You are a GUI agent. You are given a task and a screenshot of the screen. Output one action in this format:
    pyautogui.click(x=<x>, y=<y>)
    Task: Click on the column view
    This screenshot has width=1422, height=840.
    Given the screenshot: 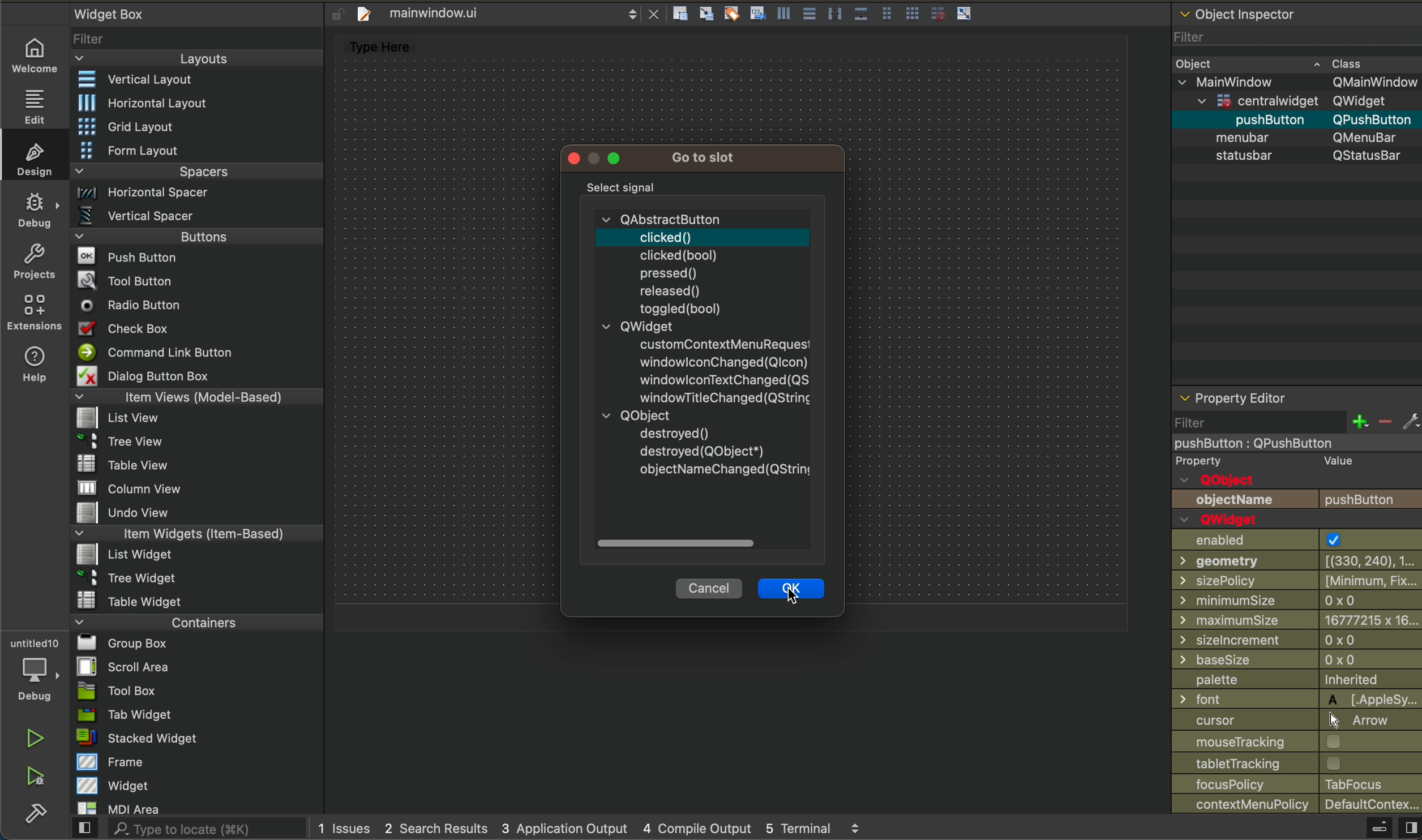 What is the action you would take?
    pyautogui.click(x=195, y=488)
    